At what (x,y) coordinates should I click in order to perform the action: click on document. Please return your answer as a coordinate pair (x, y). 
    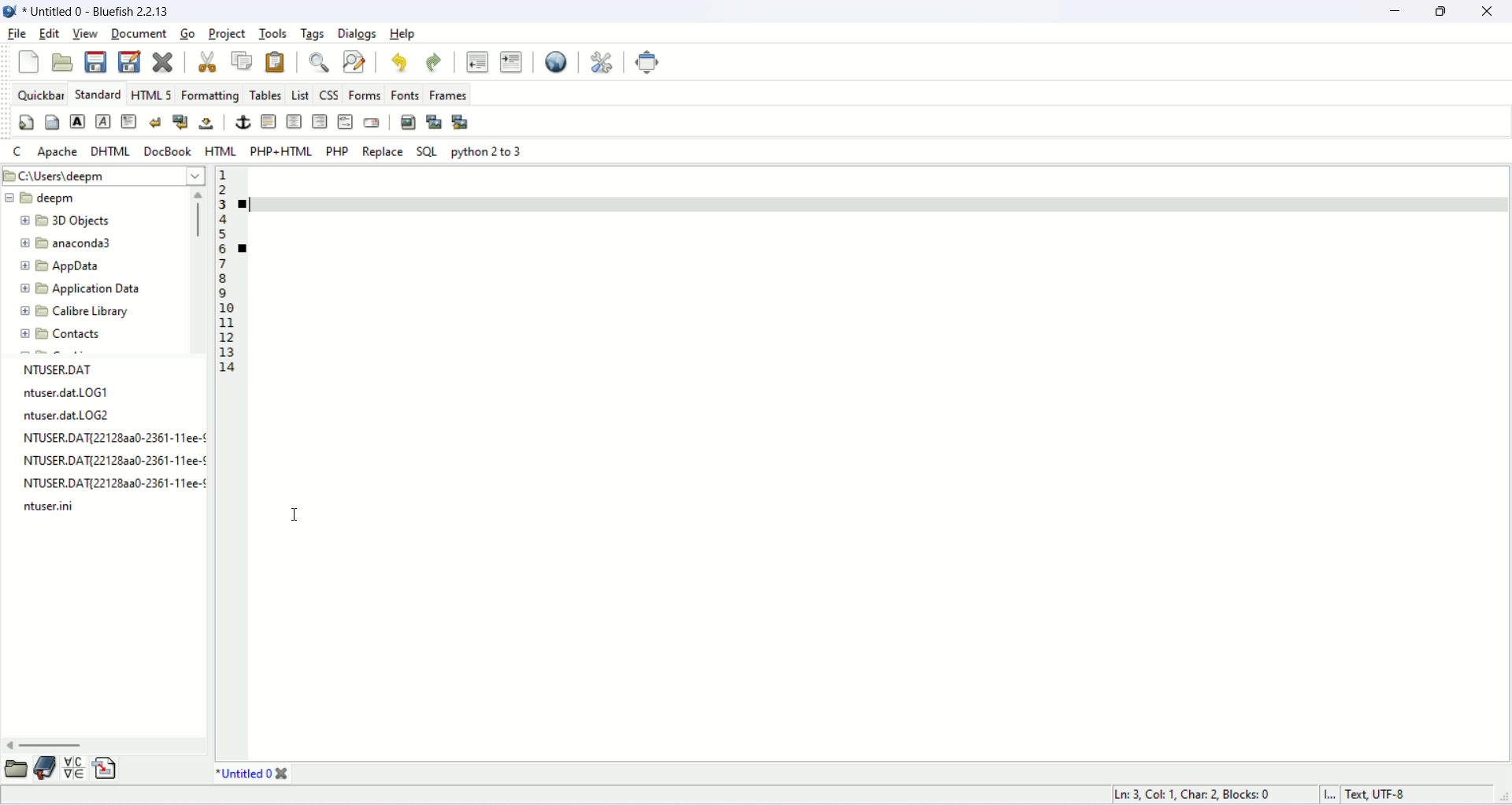
    Looking at the image, I should click on (135, 32).